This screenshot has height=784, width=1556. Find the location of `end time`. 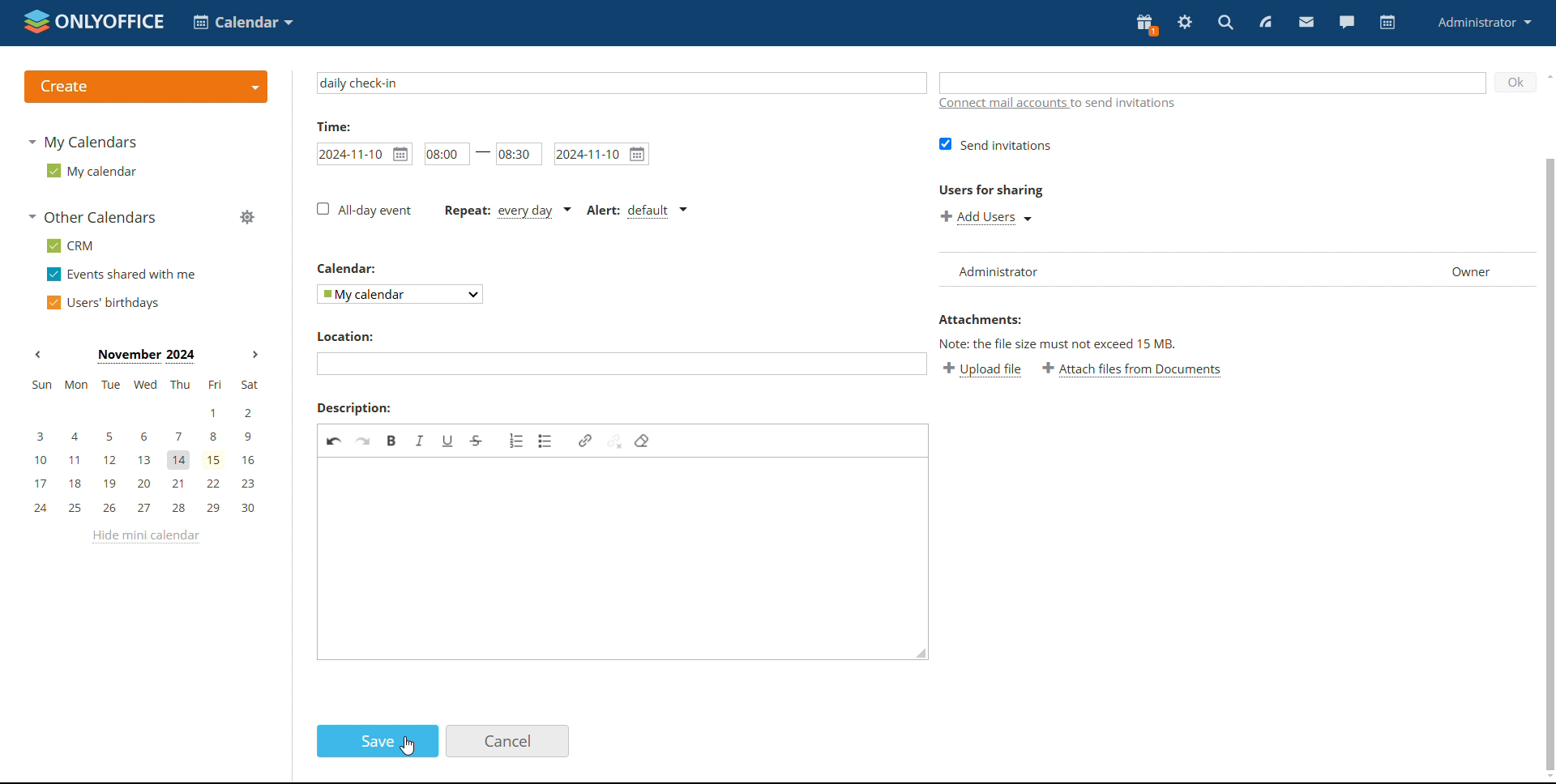

end time is located at coordinates (517, 155).